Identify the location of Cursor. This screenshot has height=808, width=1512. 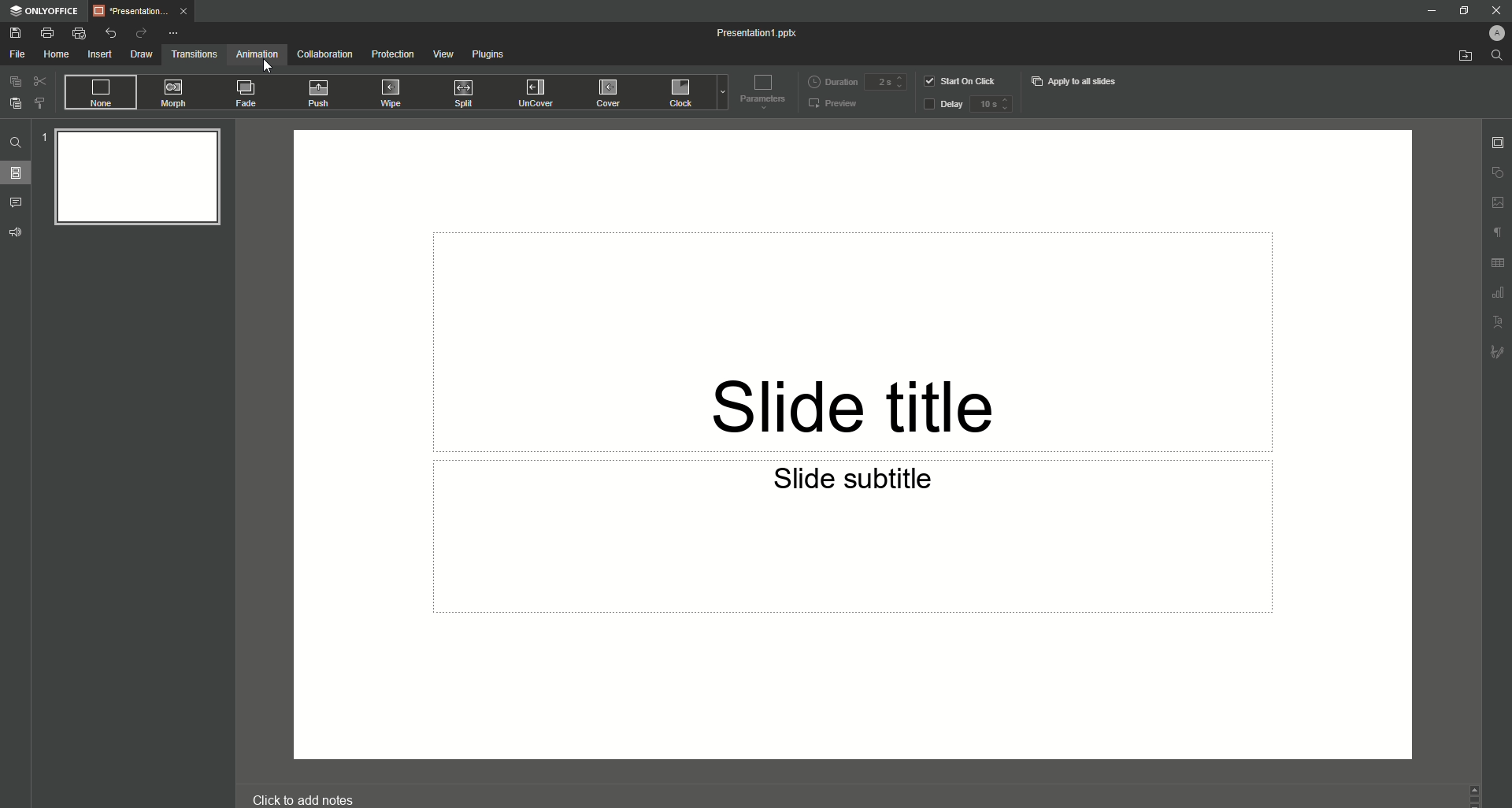
(269, 69).